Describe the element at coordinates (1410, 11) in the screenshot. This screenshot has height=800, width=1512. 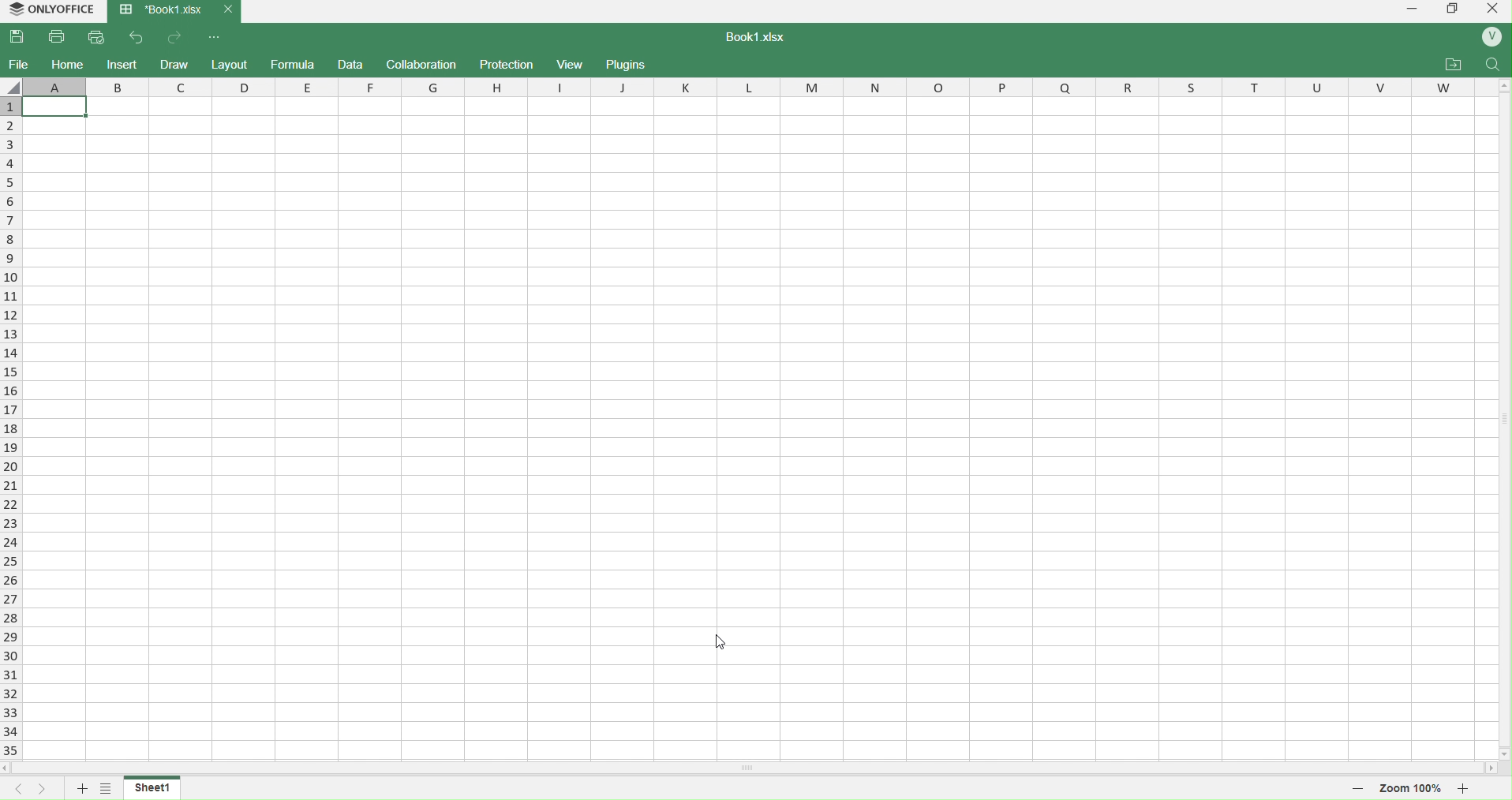
I see `minimize` at that location.